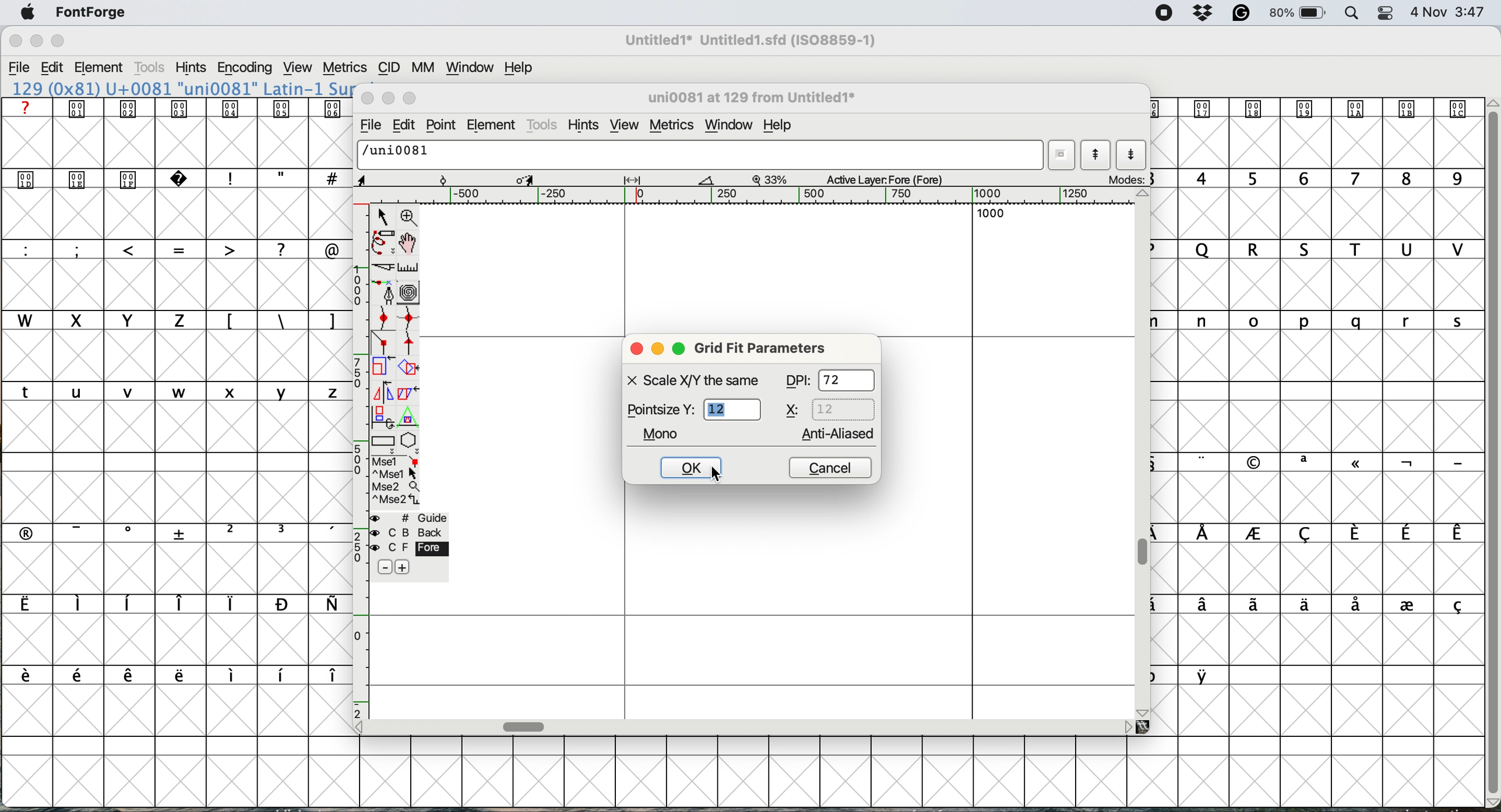 The height and width of the screenshot is (812, 1501). Describe the element at coordinates (191, 68) in the screenshot. I see `Hints` at that location.